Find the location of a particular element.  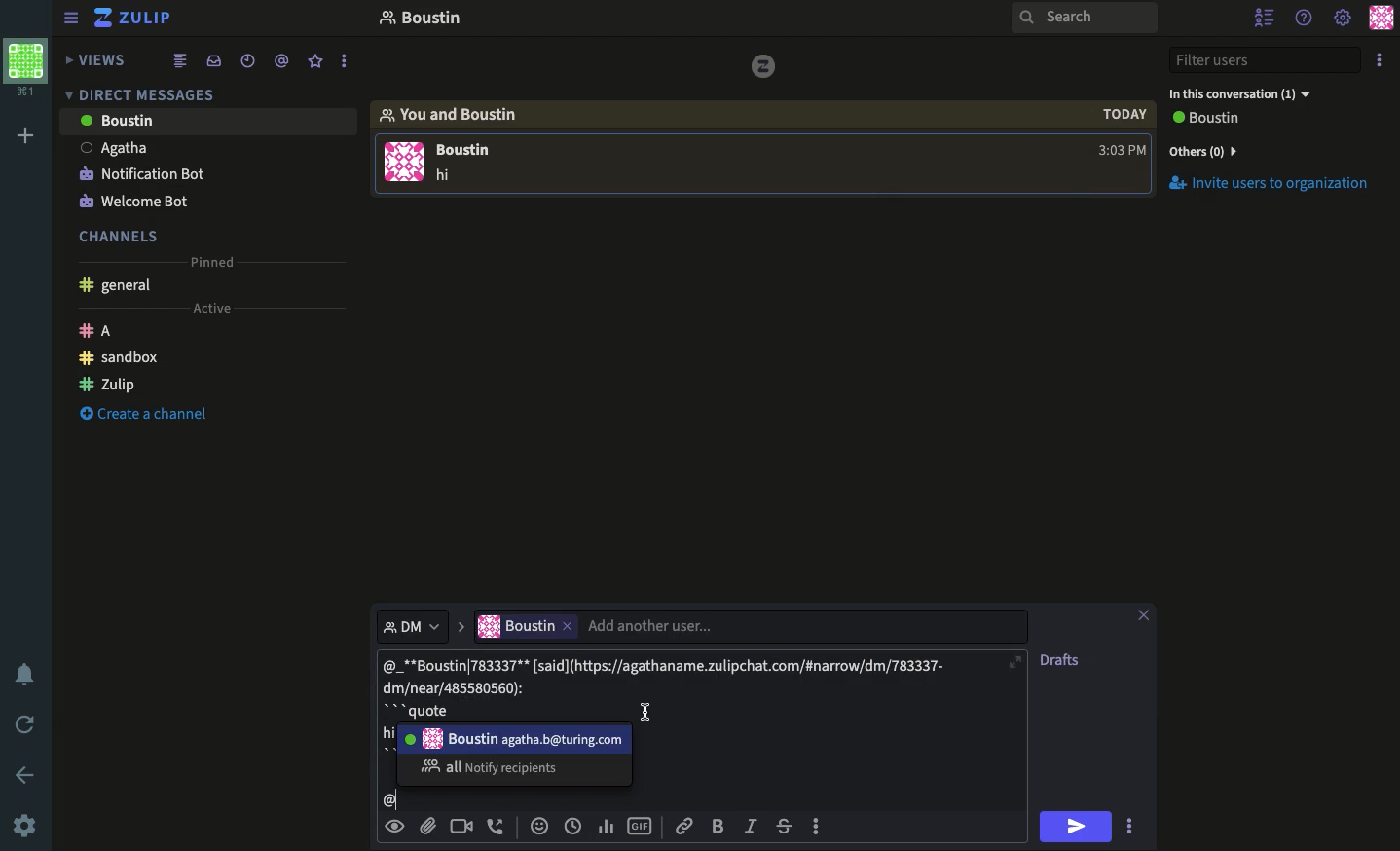

Preview is located at coordinates (397, 825).